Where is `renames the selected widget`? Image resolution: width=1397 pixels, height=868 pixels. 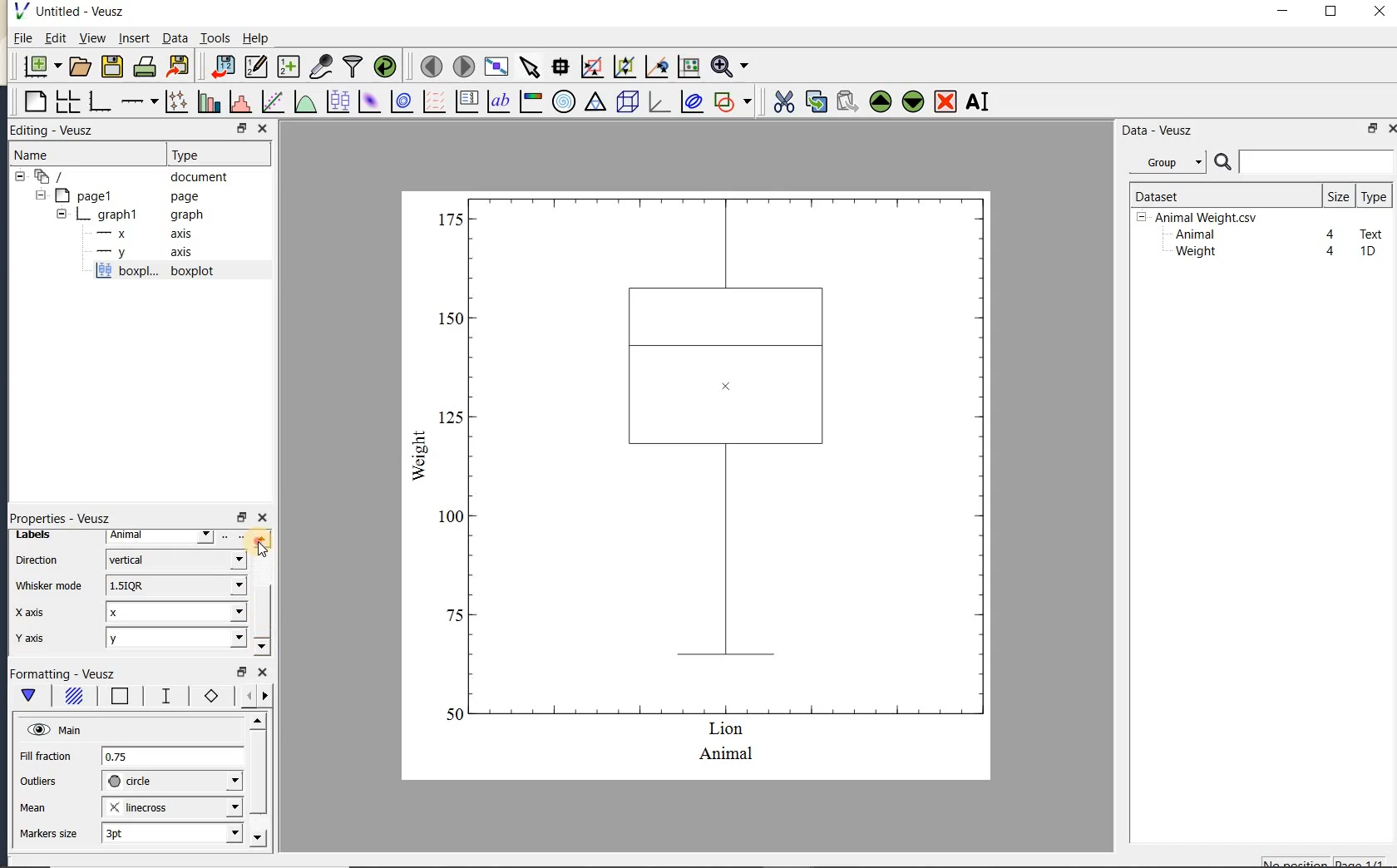
renames the selected widget is located at coordinates (976, 101).